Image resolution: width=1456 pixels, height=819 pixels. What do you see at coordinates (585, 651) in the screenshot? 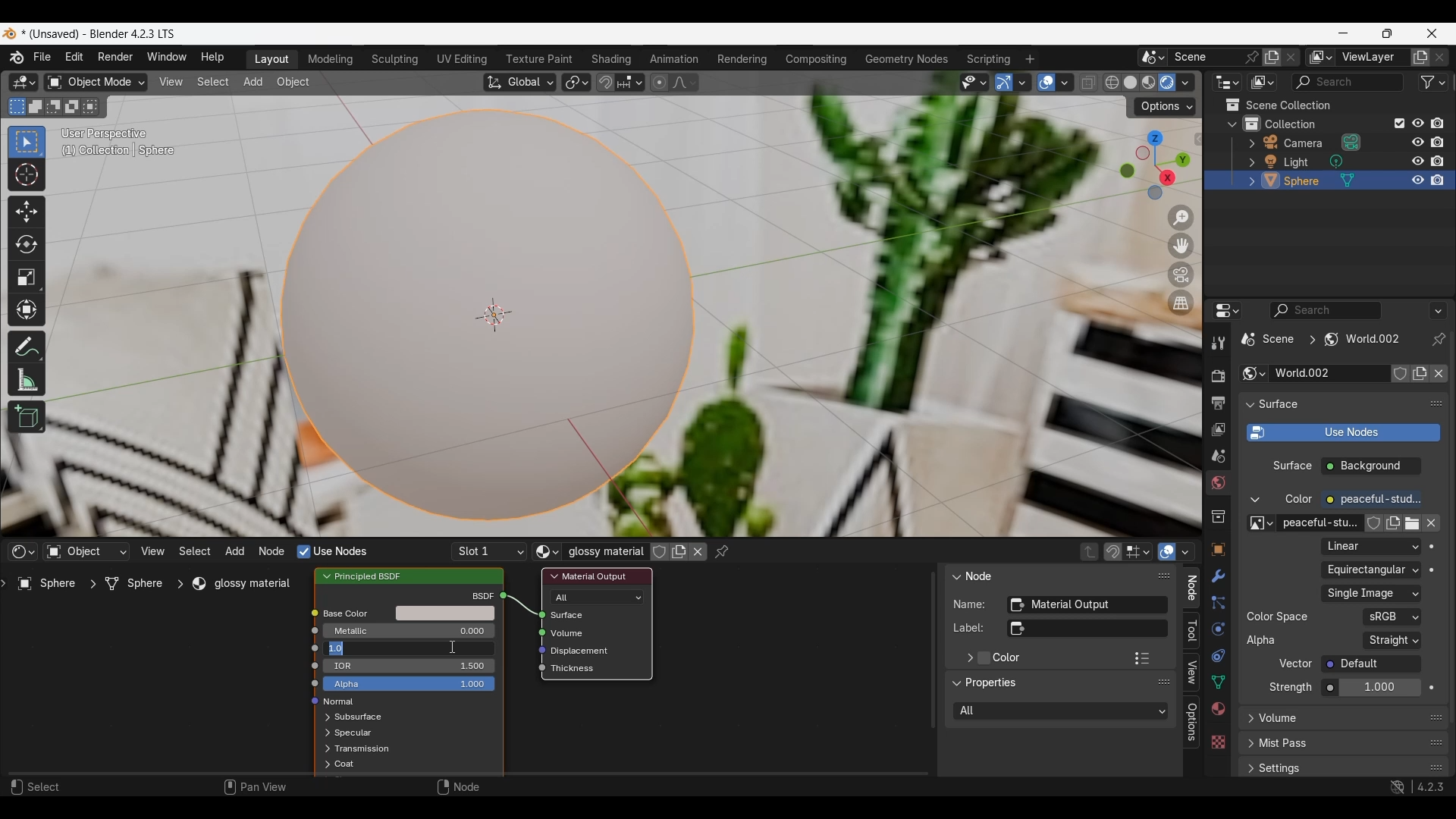
I see `Displacement` at bounding box center [585, 651].